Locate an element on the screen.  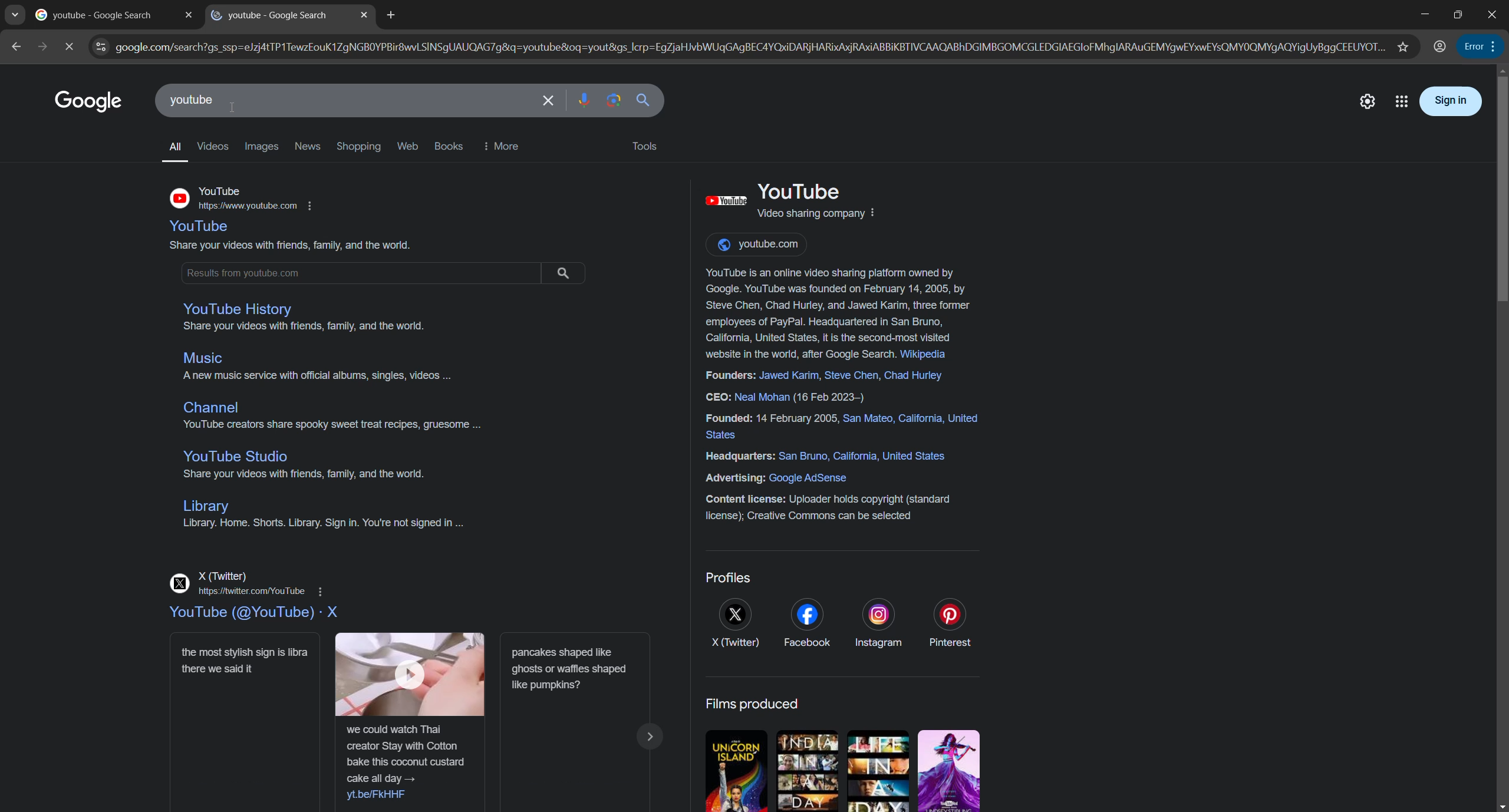
close is located at coordinates (189, 16).